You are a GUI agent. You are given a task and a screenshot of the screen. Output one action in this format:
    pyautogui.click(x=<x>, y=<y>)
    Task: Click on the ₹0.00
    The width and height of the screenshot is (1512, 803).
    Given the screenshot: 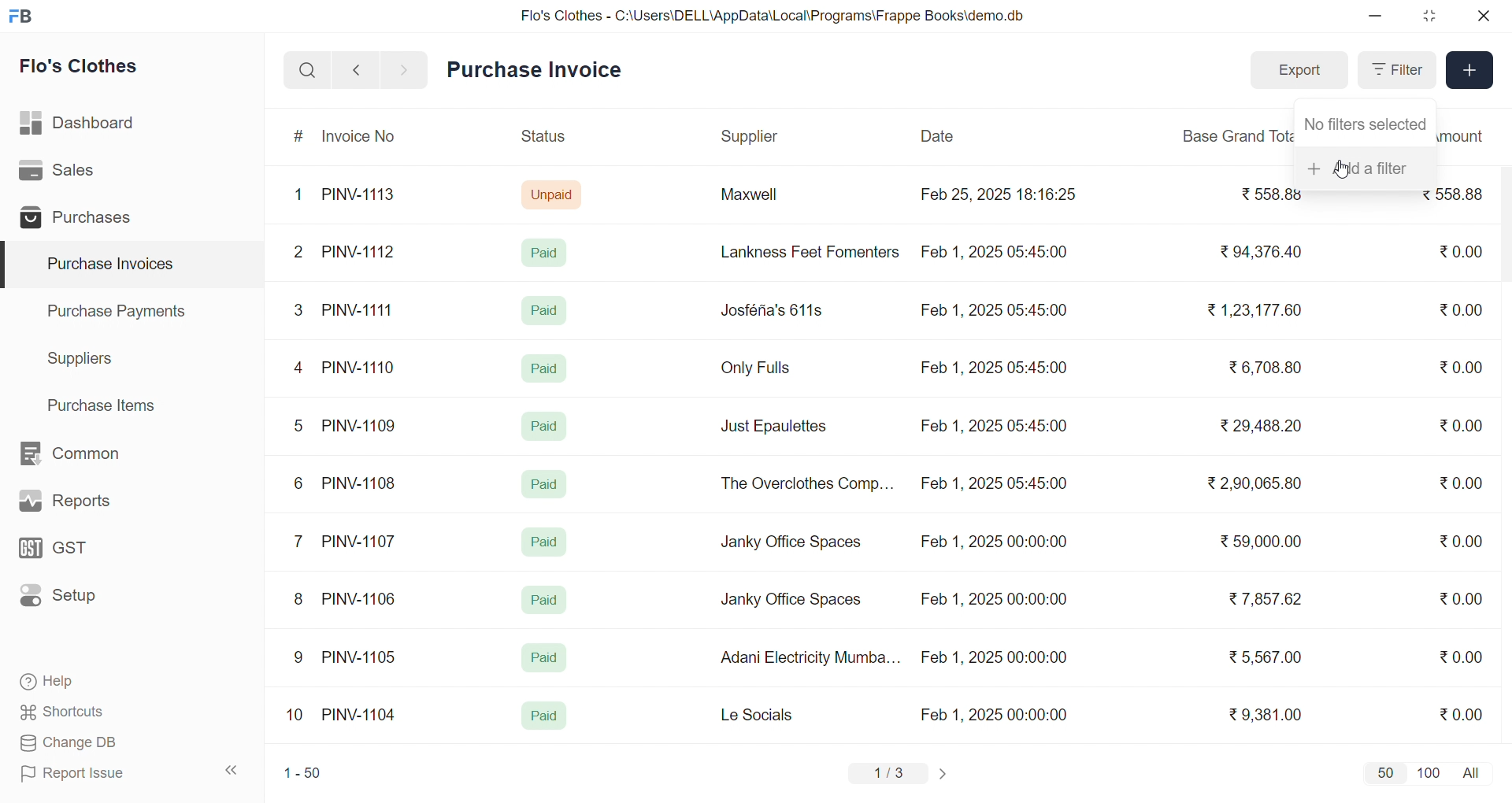 What is the action you would take?
    pyautogui.click(x=1452, y=426)
    